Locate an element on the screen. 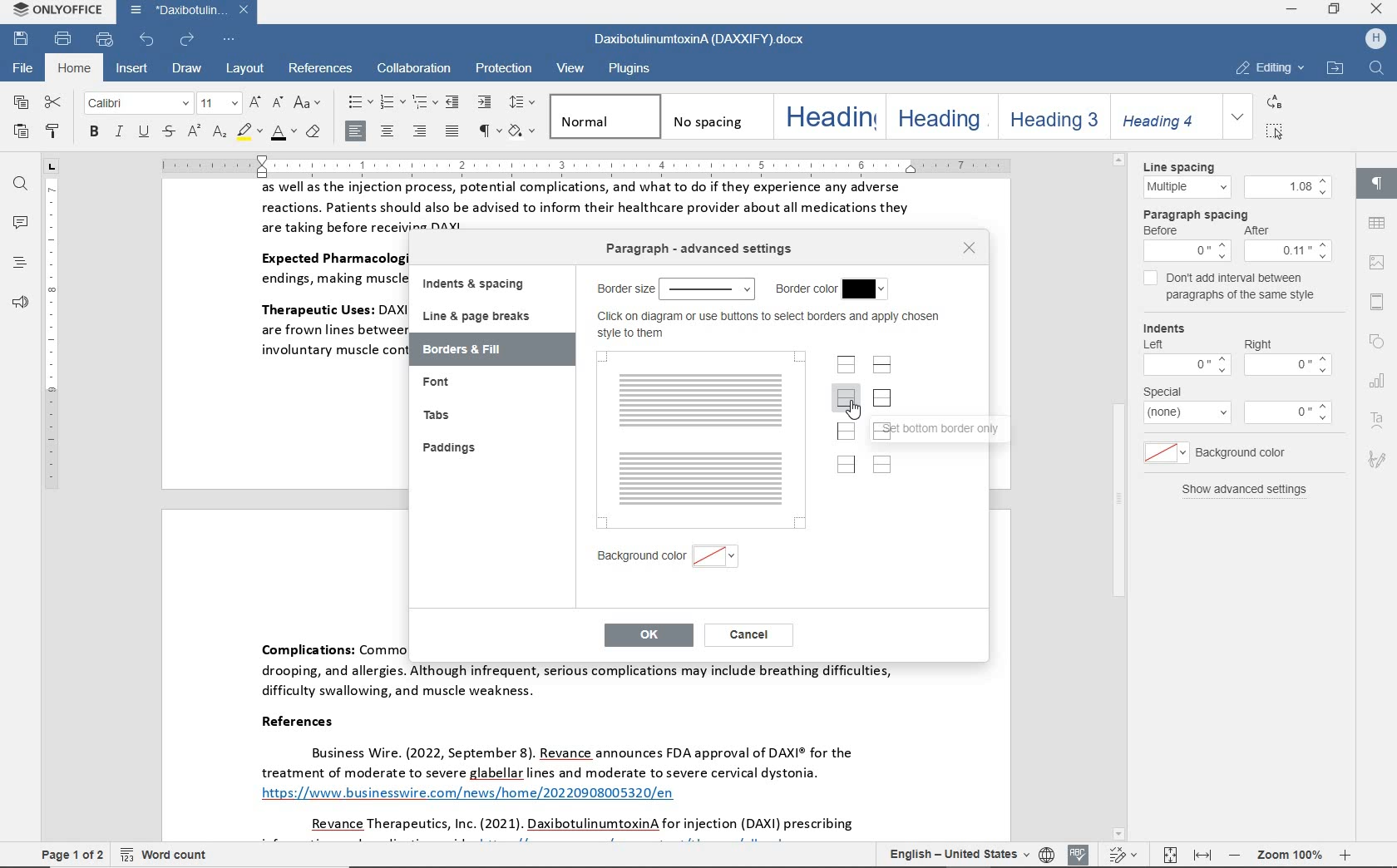 The image size is (1397, 868). justified is located at coordinates (453, 132).